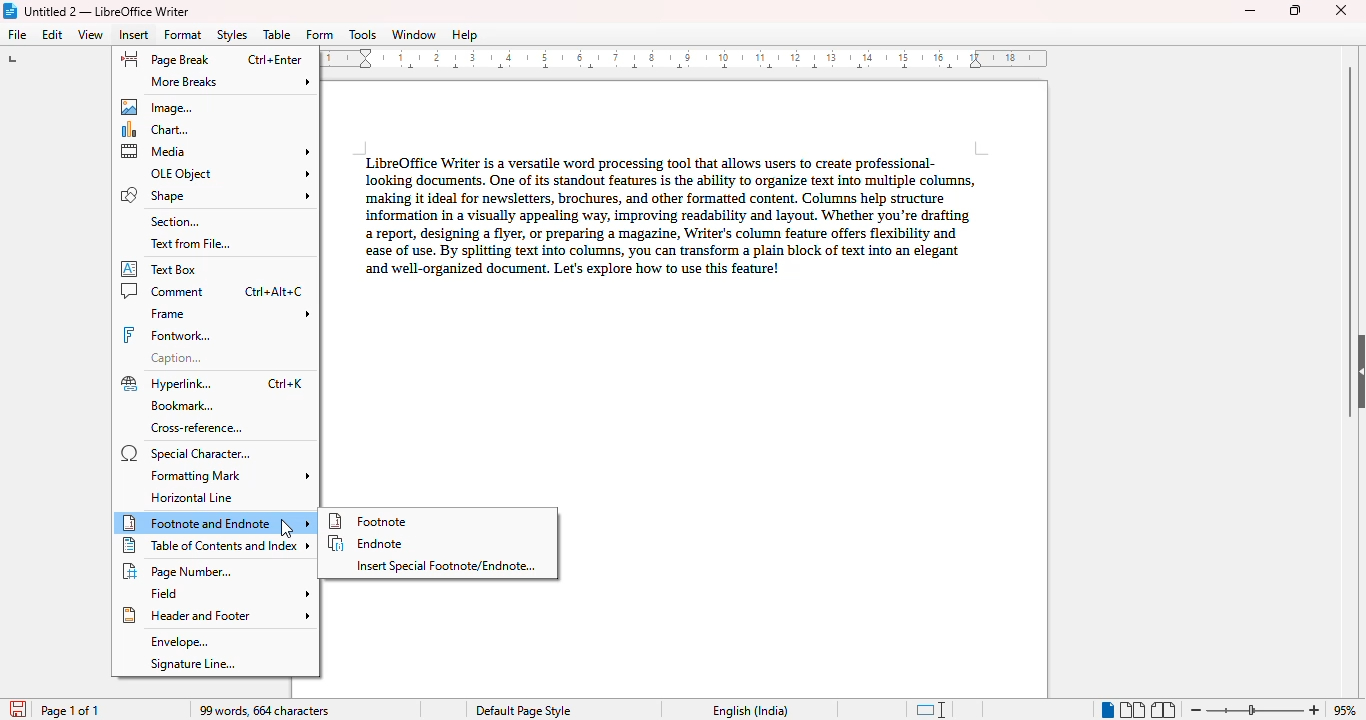 Image resolution: width=1366 pixels, height=720 pixels. I want to click on page 1 of 1, so click(71, 711).